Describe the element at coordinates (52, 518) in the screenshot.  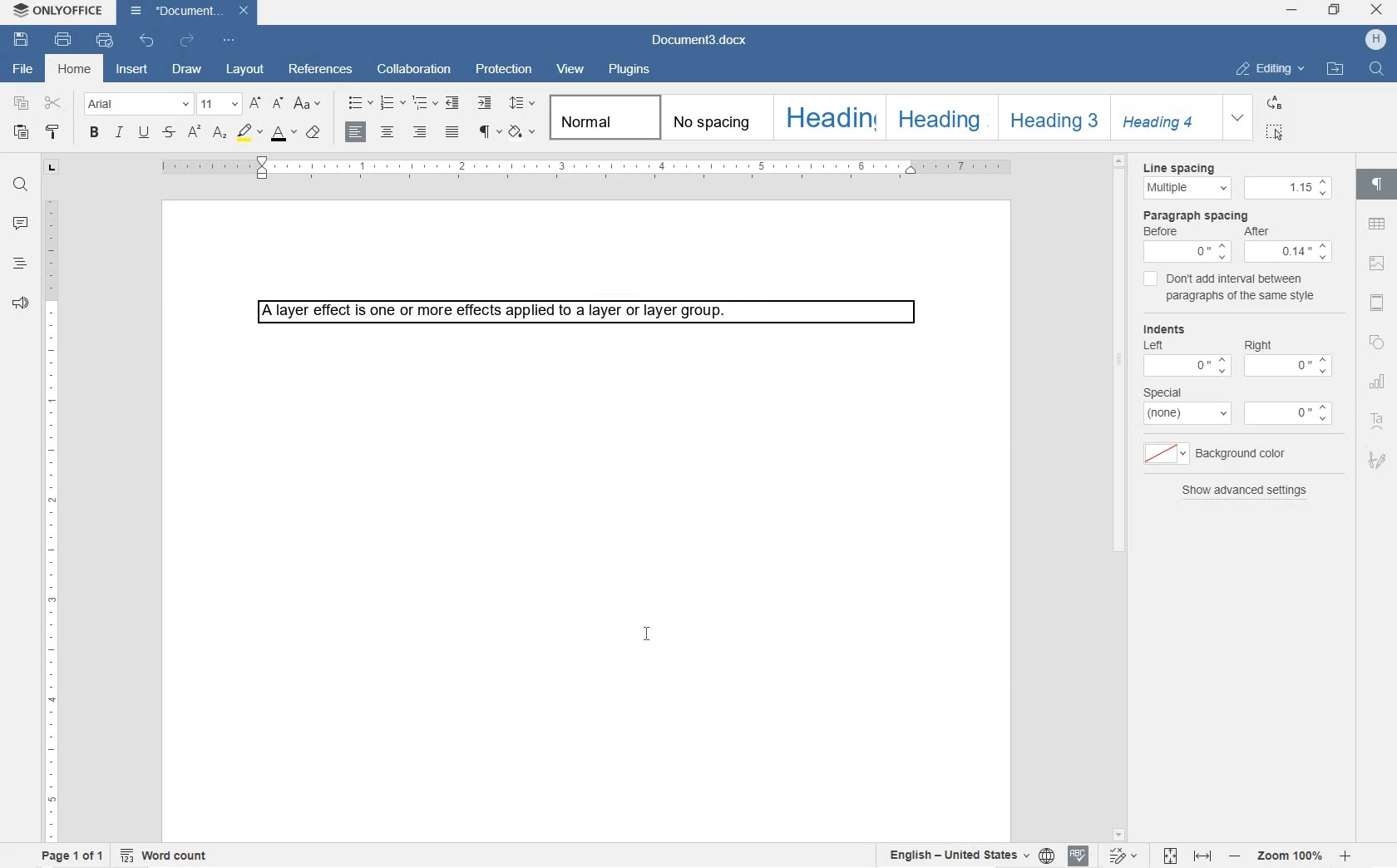
I see `RULER` at that location.